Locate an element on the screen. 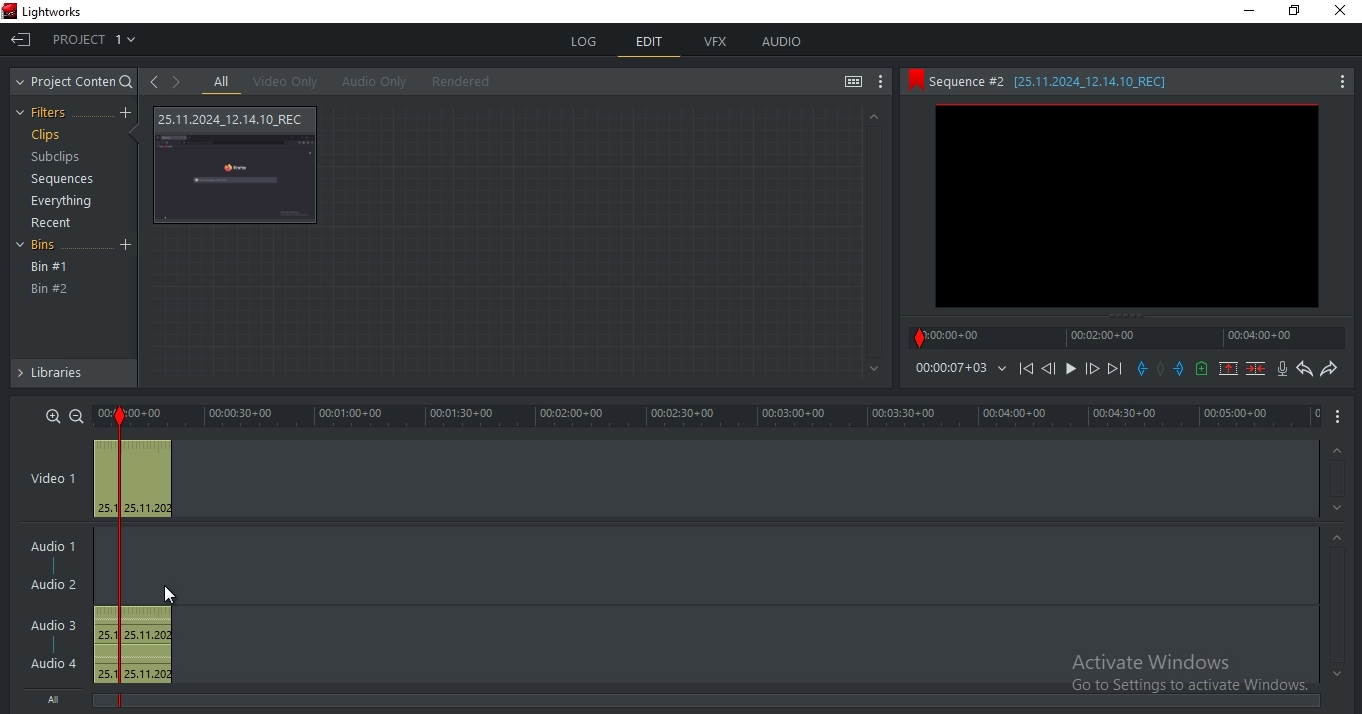  Exit is located at coordinates (21, 38).